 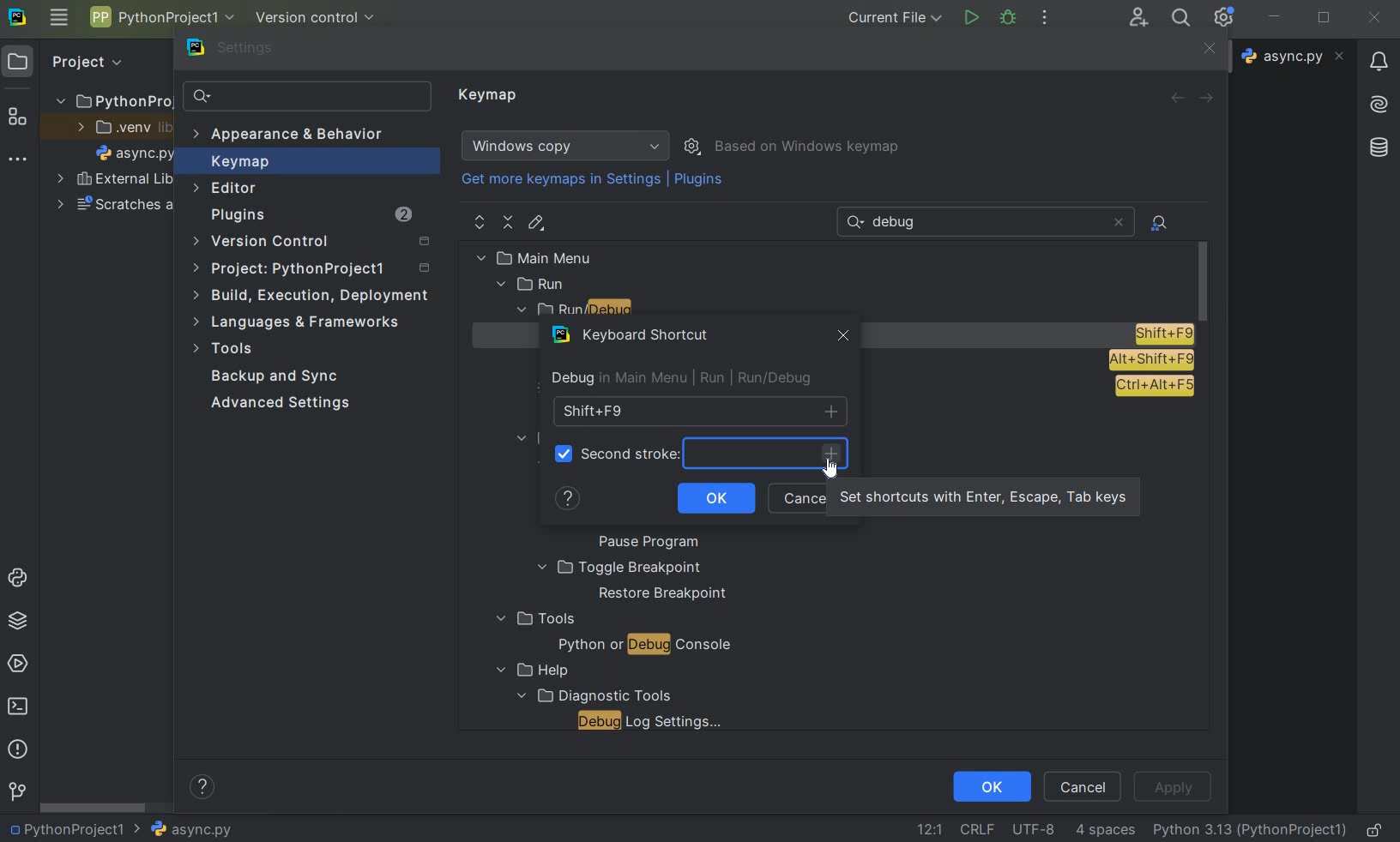 I want to click on forward, so click(x=1210, y=99).